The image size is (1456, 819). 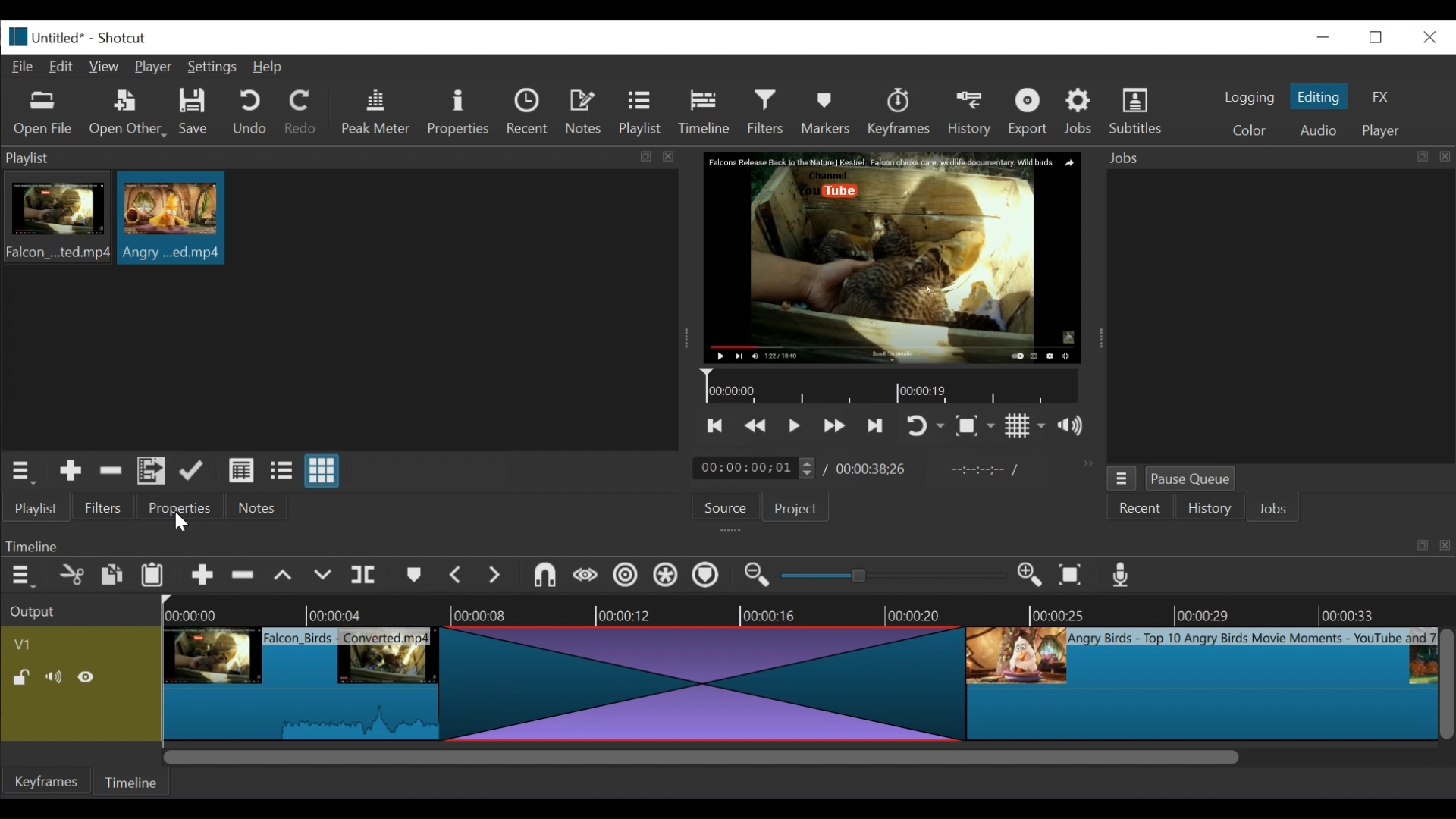 I want to click on Timeline menu, so click(x=25, y=576).